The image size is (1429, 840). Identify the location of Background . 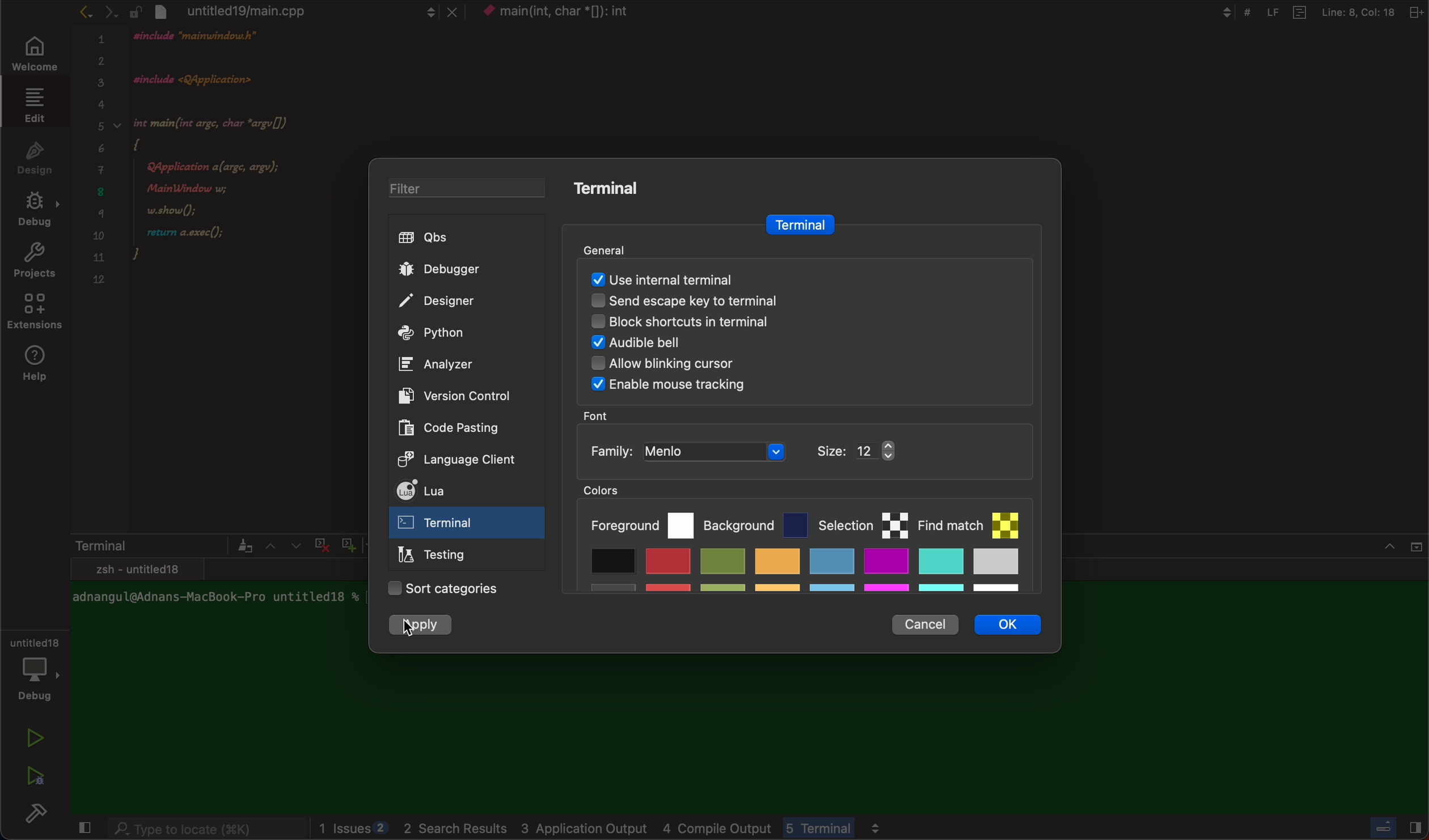
(756, 522).